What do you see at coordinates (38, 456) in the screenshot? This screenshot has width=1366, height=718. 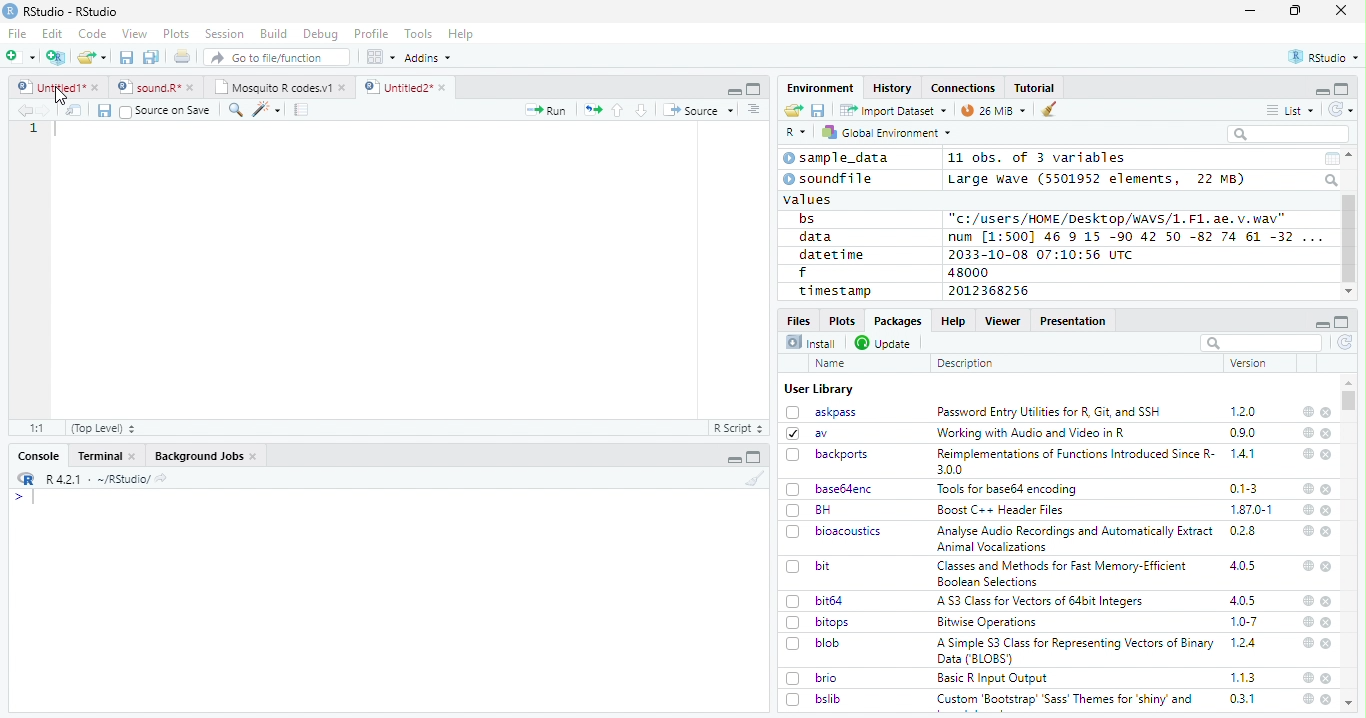 I see `Console` at bounding box center [38, 456].